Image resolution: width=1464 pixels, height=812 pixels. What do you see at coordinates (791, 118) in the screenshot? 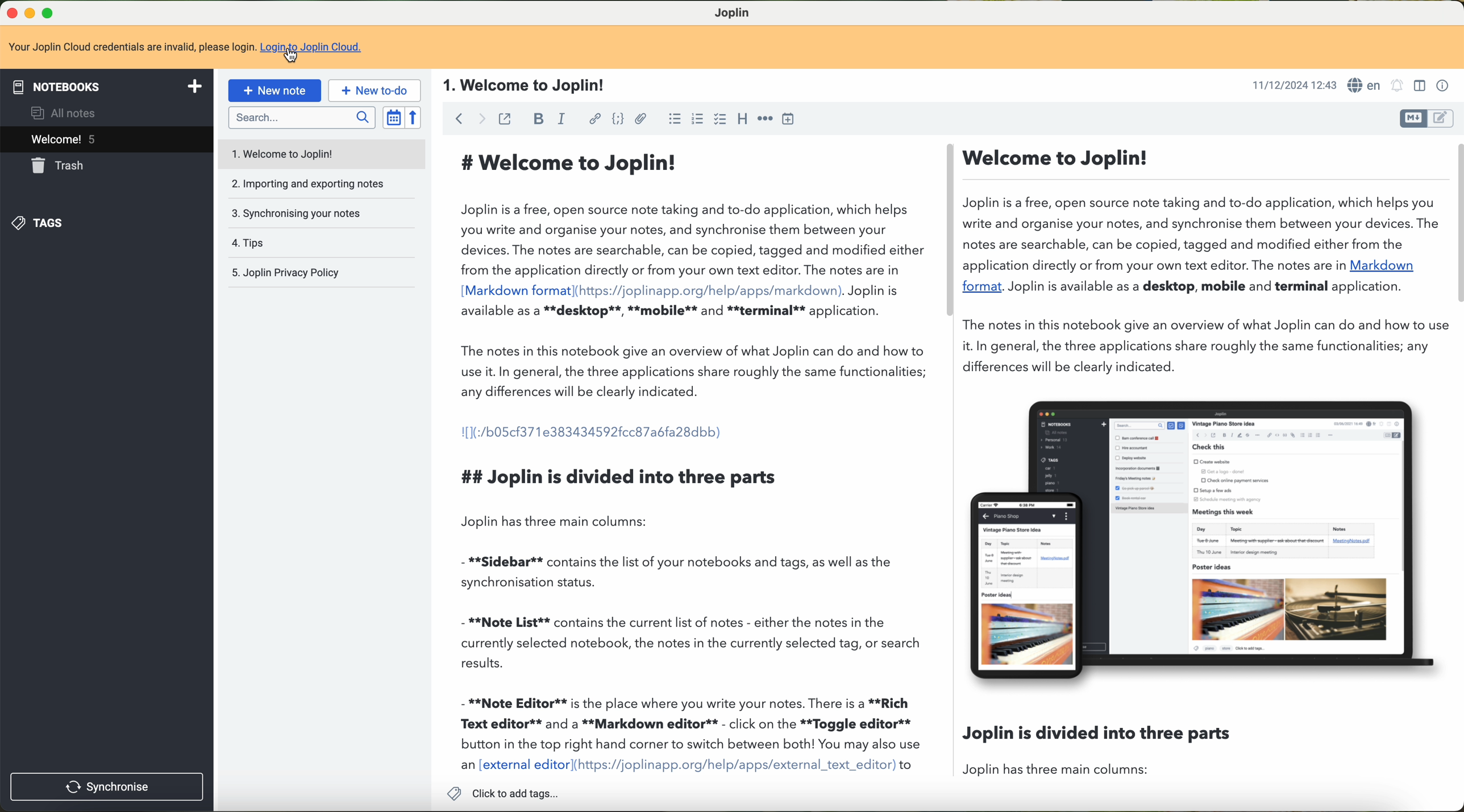
I see `insert time` at bounding box center [791, 118].